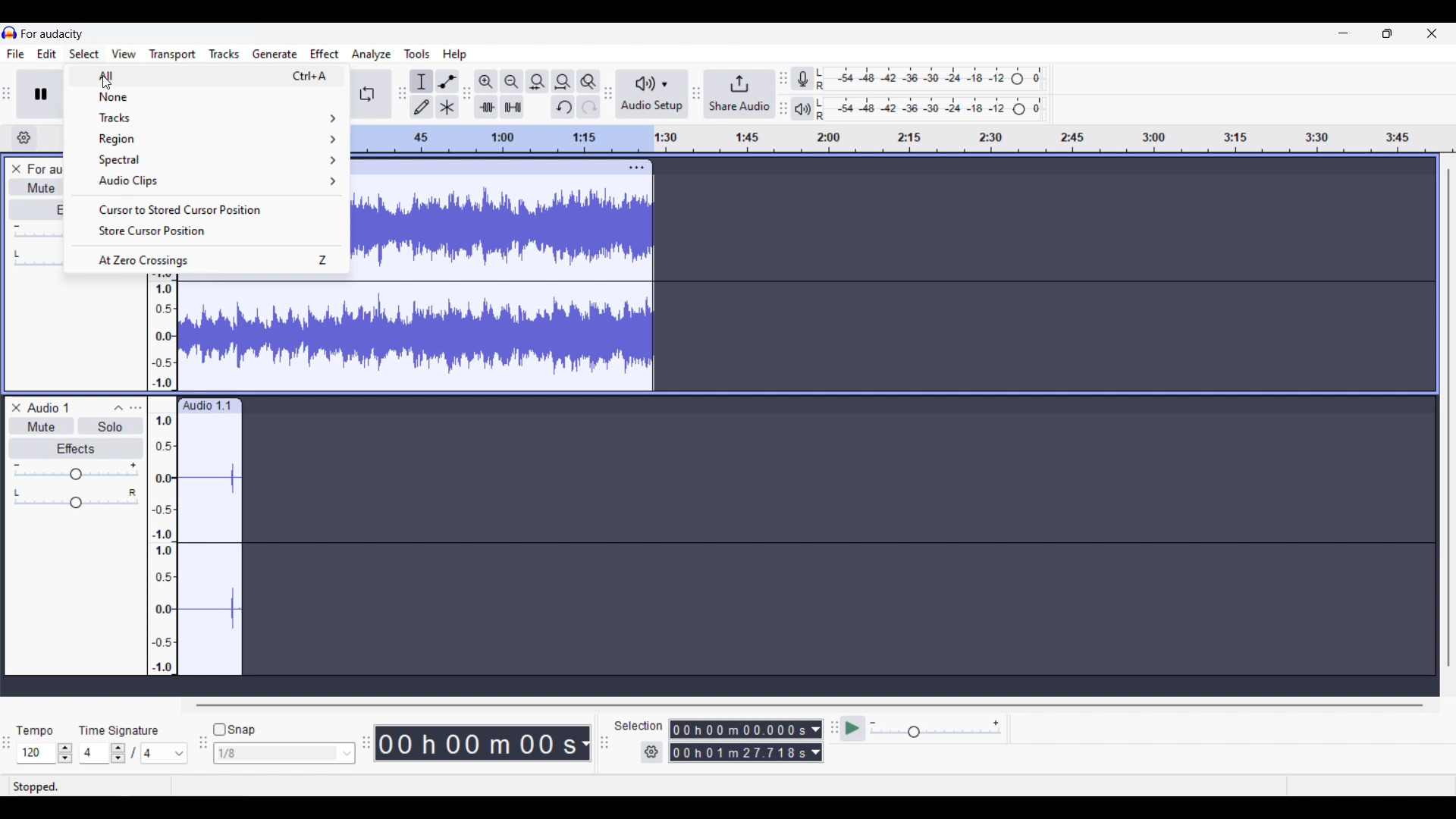 Image resolution: width=1456 pixels, height=819 pixels. Describe the element at coordinates (588, 107) in the screenshot. I see `Redo` at that location.